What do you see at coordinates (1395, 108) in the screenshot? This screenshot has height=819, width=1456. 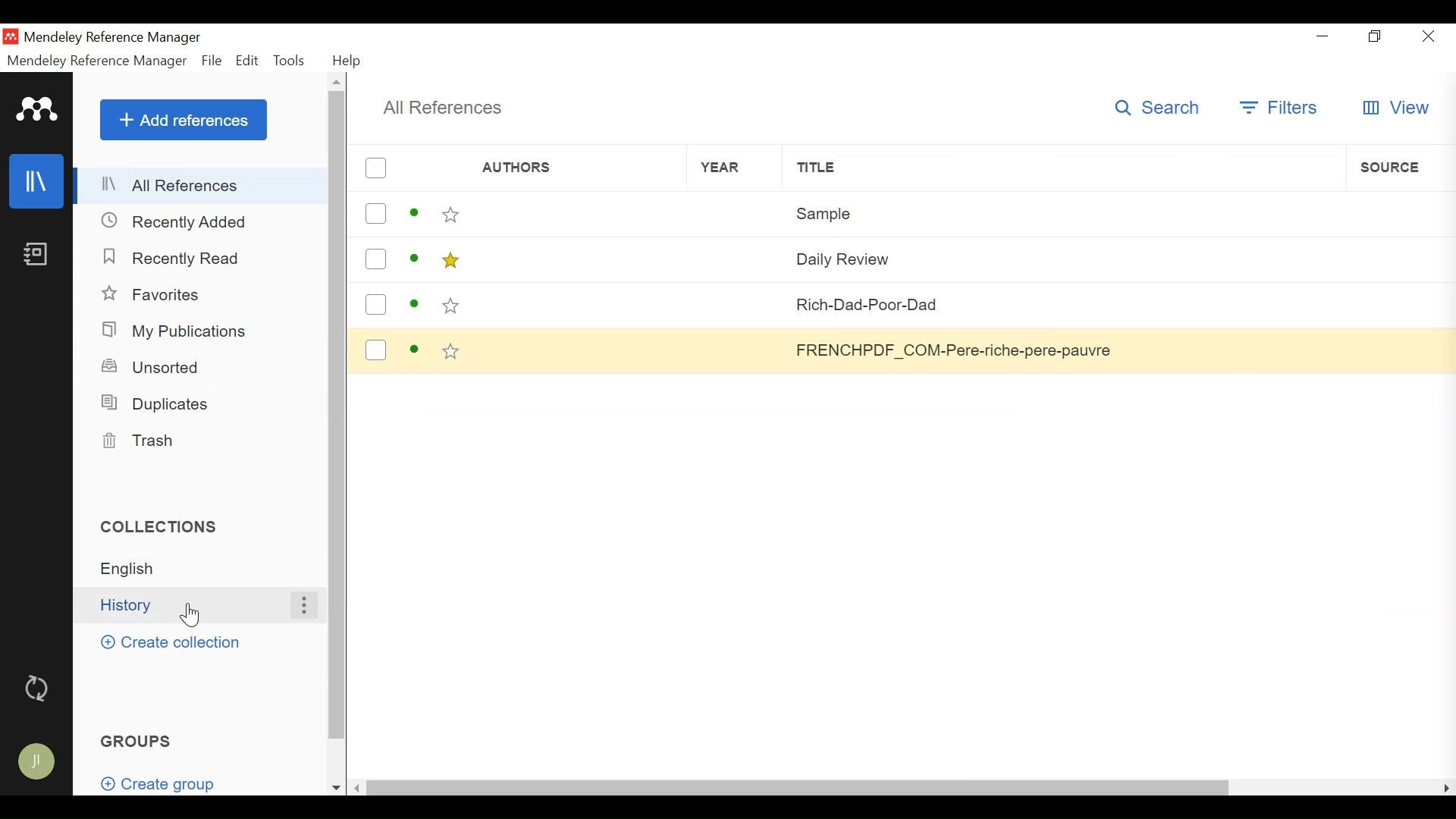 I see `View` at bounding box center [1395, 108].